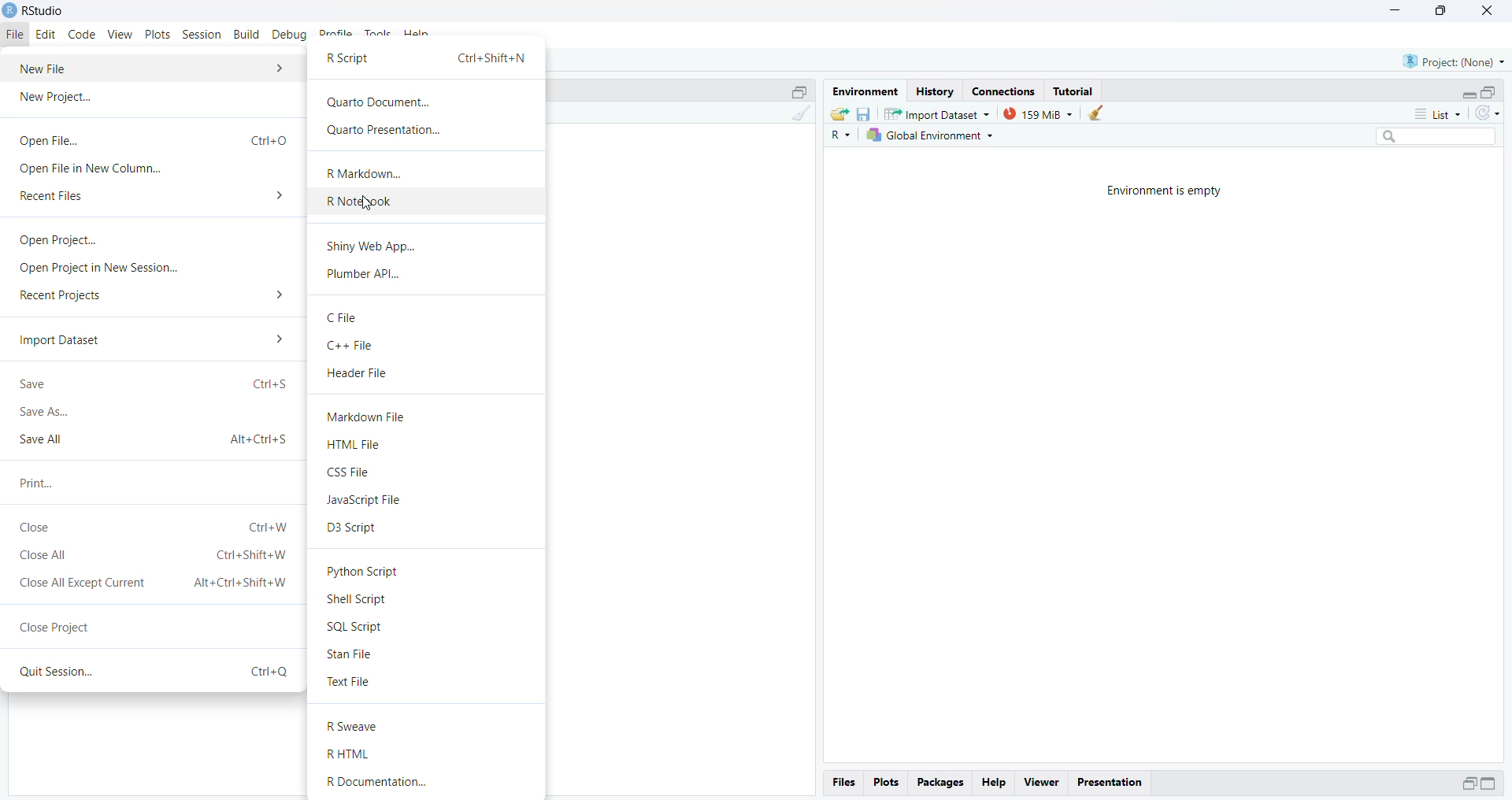 This screenshot has width=1512, height=800. I want to click on Save All Alt+Ctrl+S, so click(153, 439).